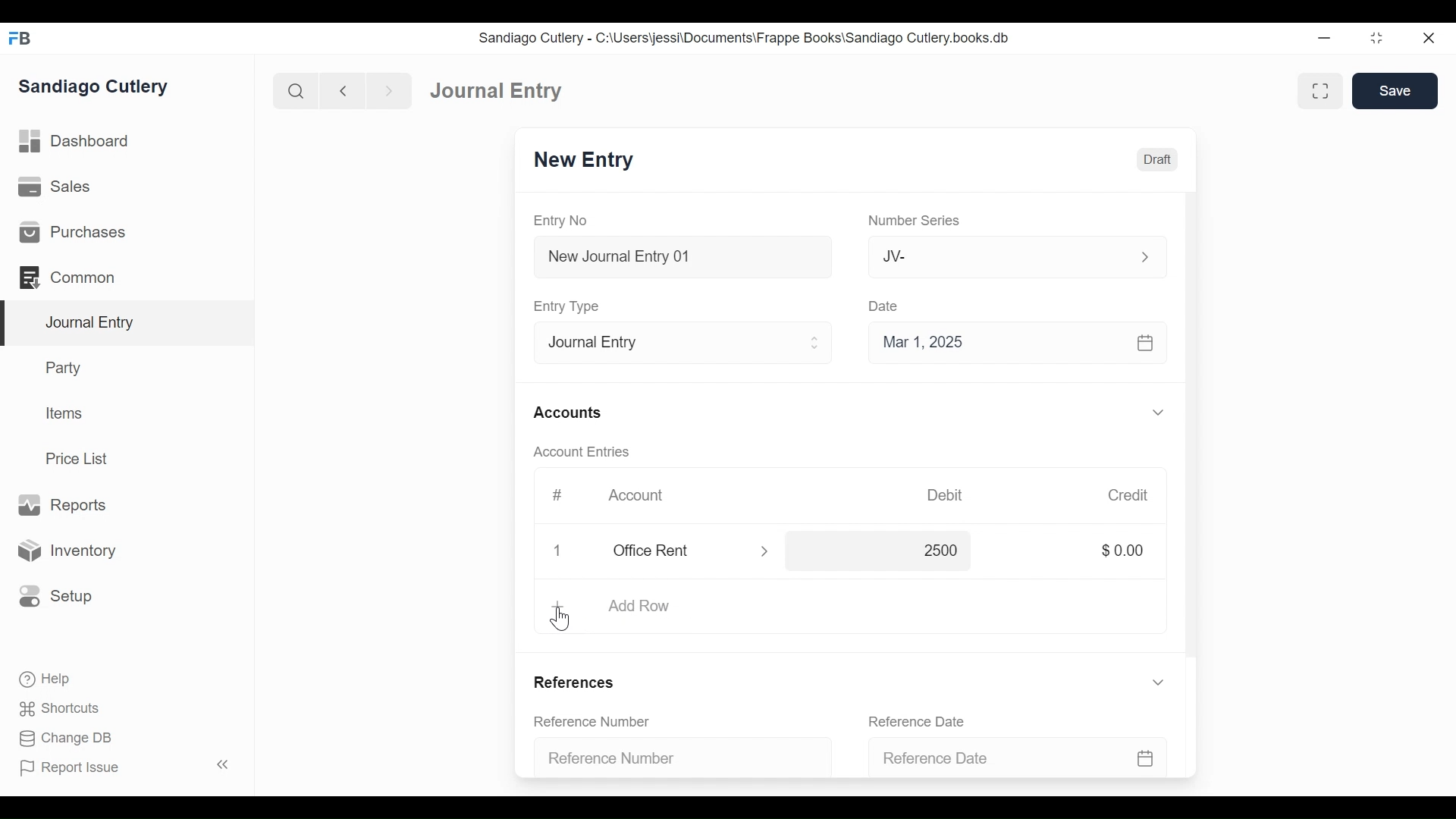 Image resolution: width=1456 pixels, height=819 pixels. I want to click on Account, so click(635, 496).